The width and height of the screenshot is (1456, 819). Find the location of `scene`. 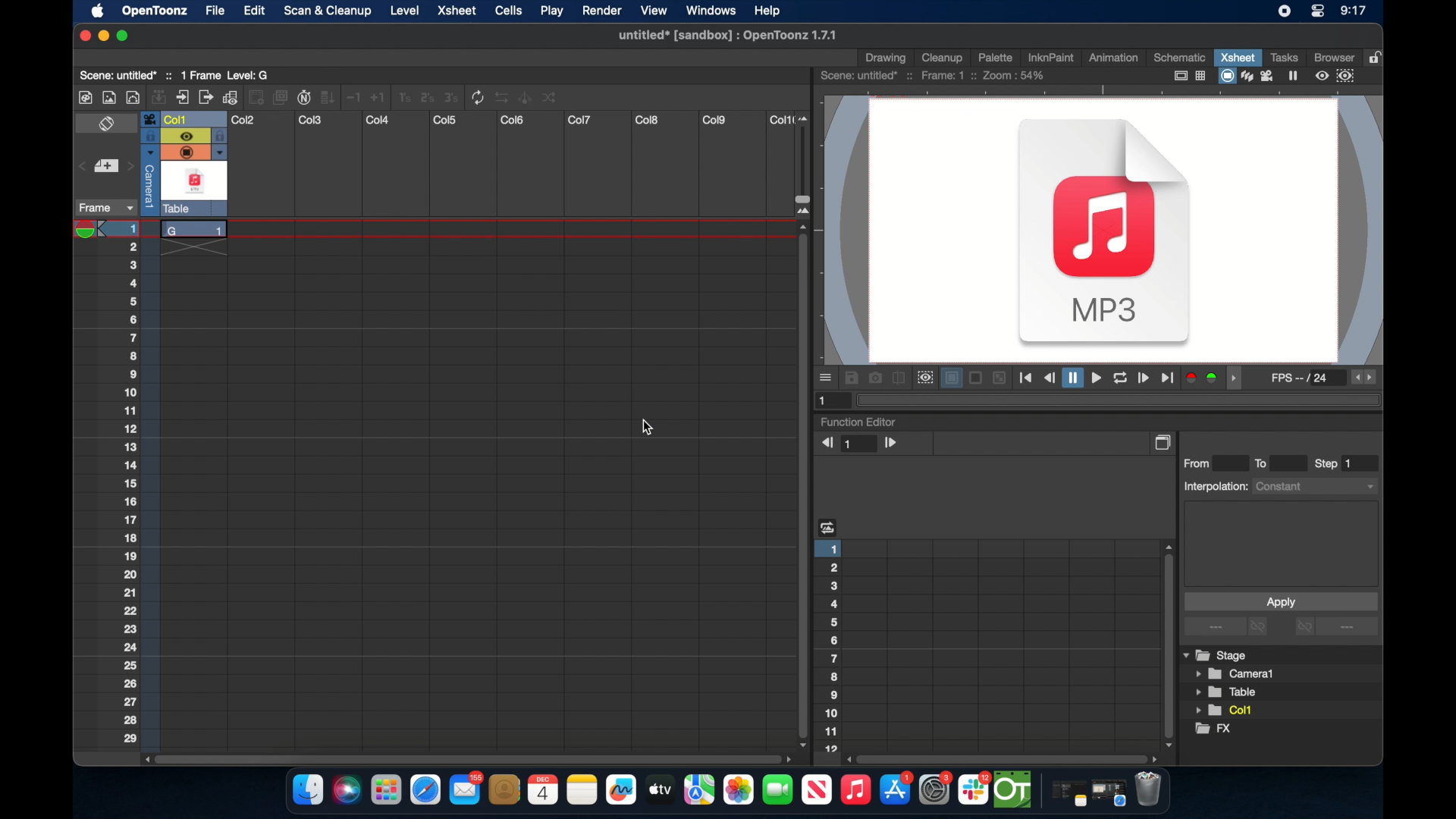

scene is located at coordinates (181, 74).